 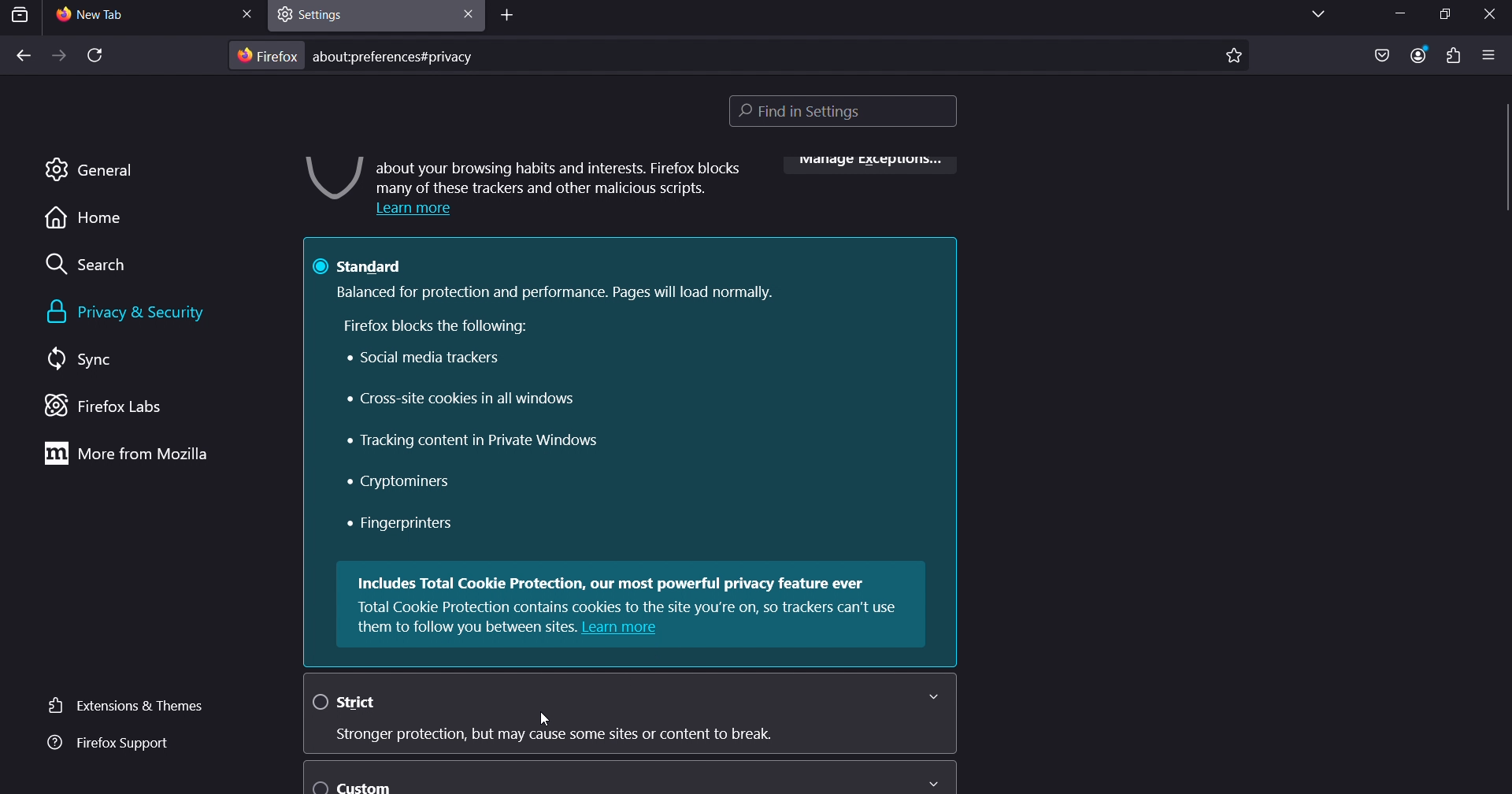 I want to click on custom, so click(x=627, y=777).